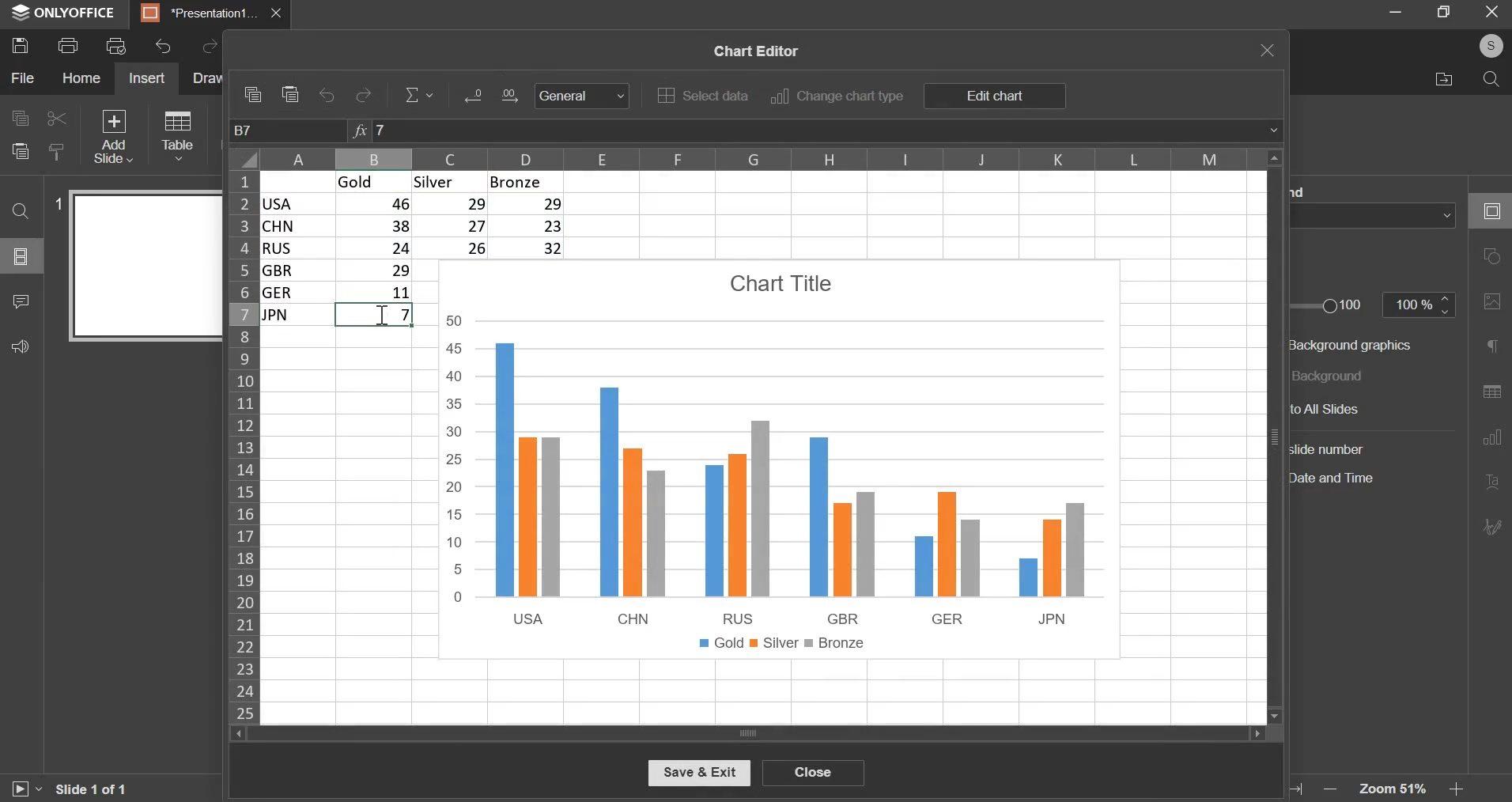 The image size is (1512, 802). I want to click on presentation tab, so click(202, 13).